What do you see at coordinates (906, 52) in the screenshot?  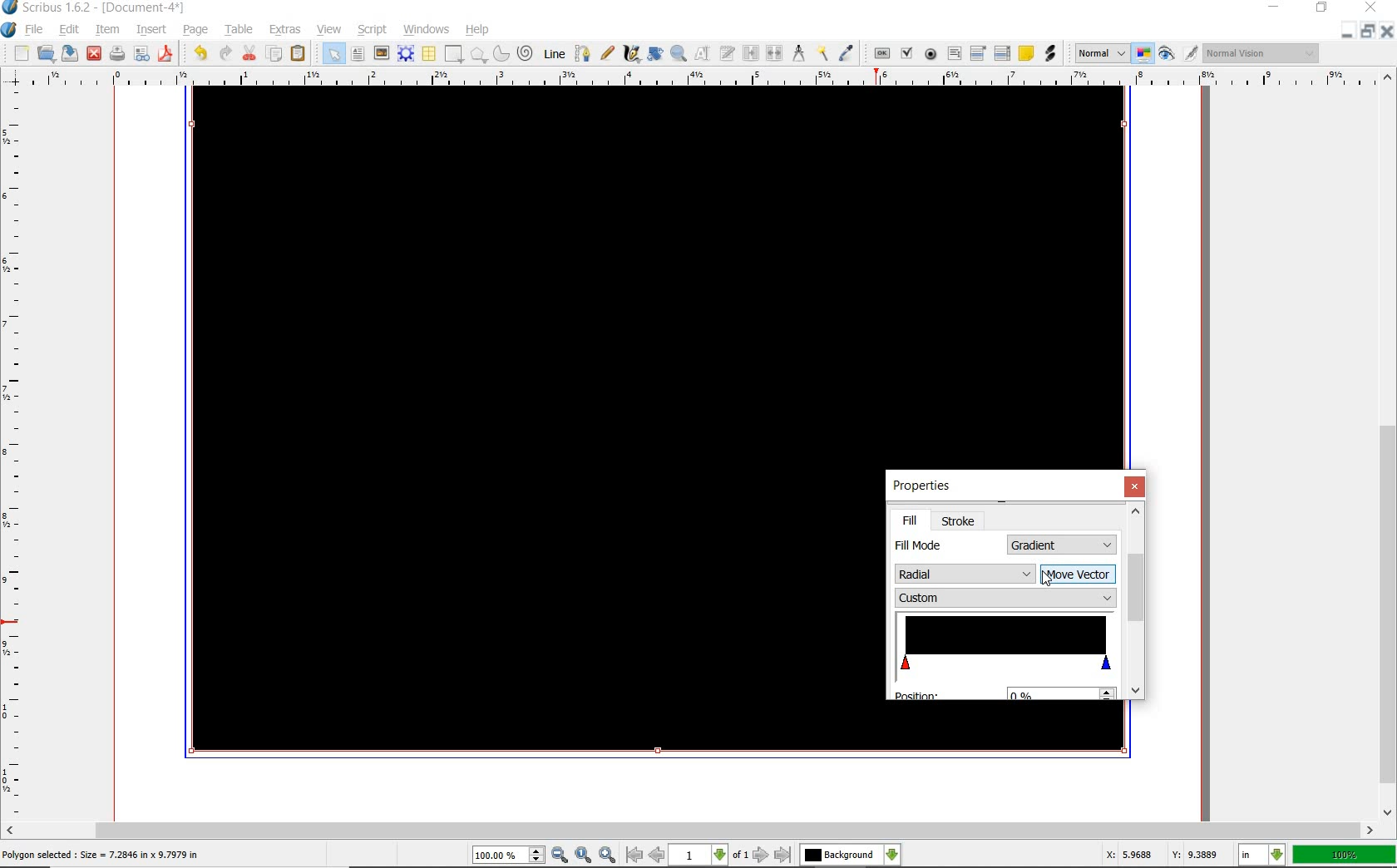 I see `pdf check box` at bounding box center [906, 52].